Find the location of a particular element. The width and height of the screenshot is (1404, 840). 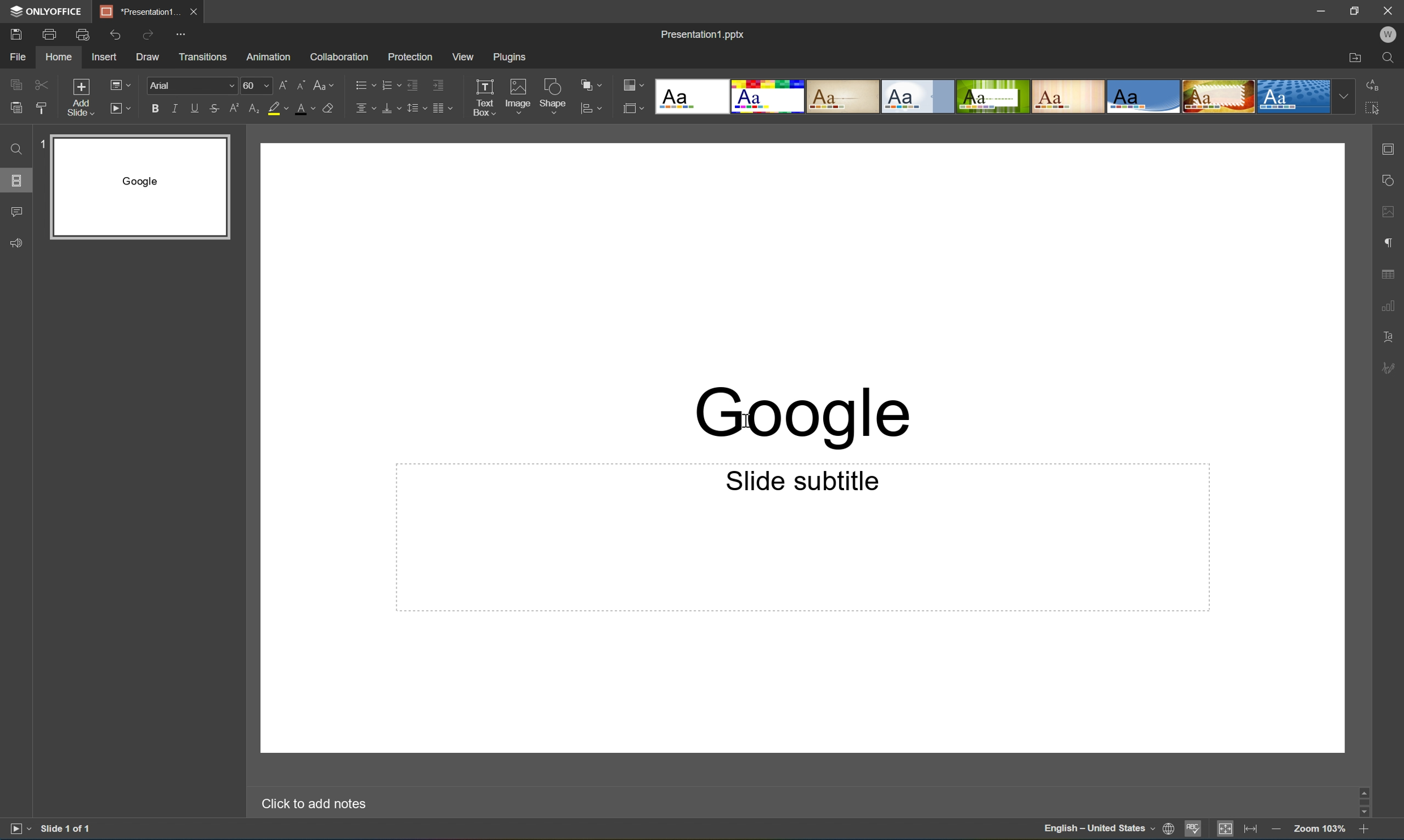

Subscript is located at coordinates (255, 109).